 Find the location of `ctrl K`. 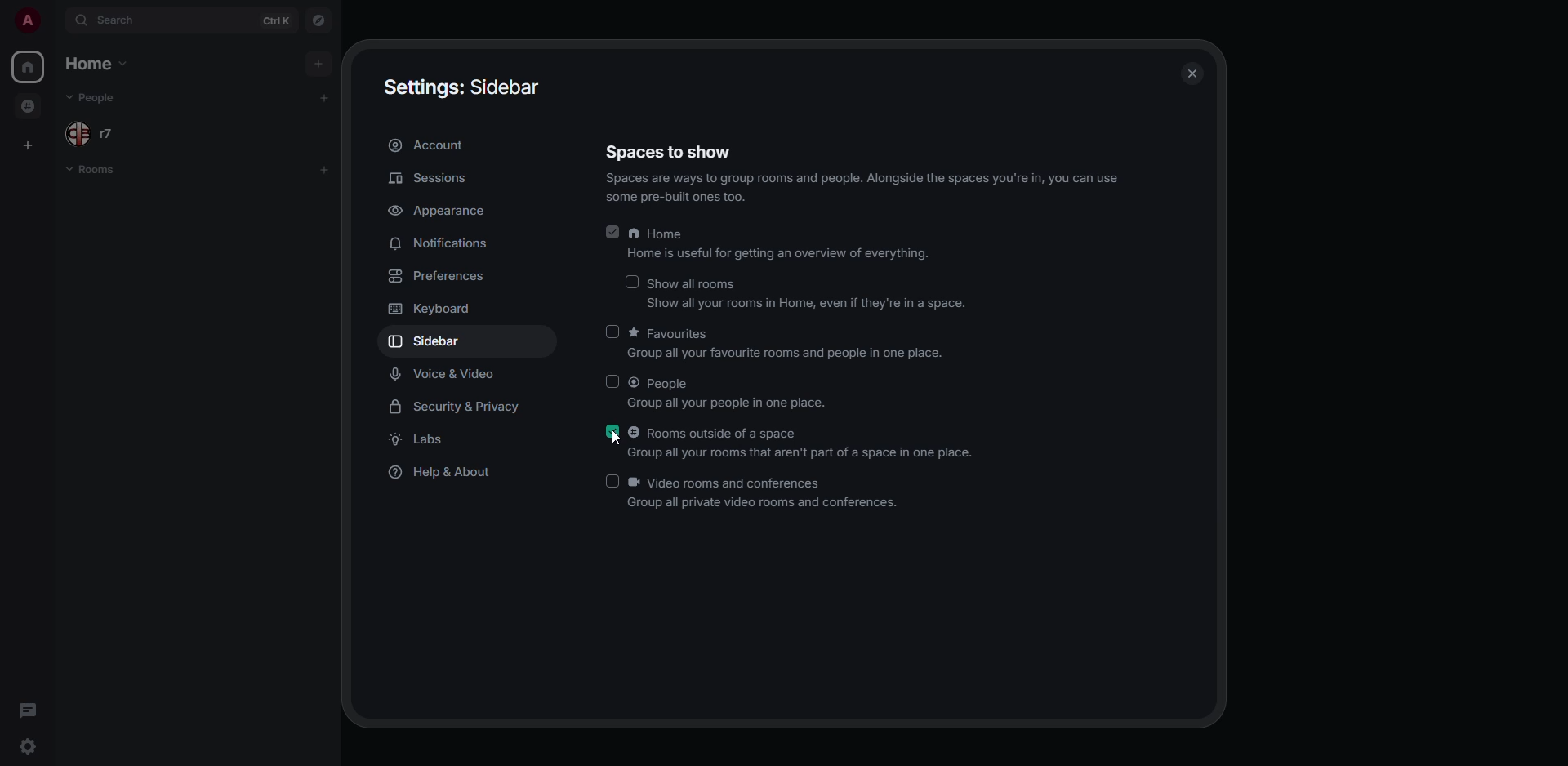

ctrl K is located at coordinates (275, 20).